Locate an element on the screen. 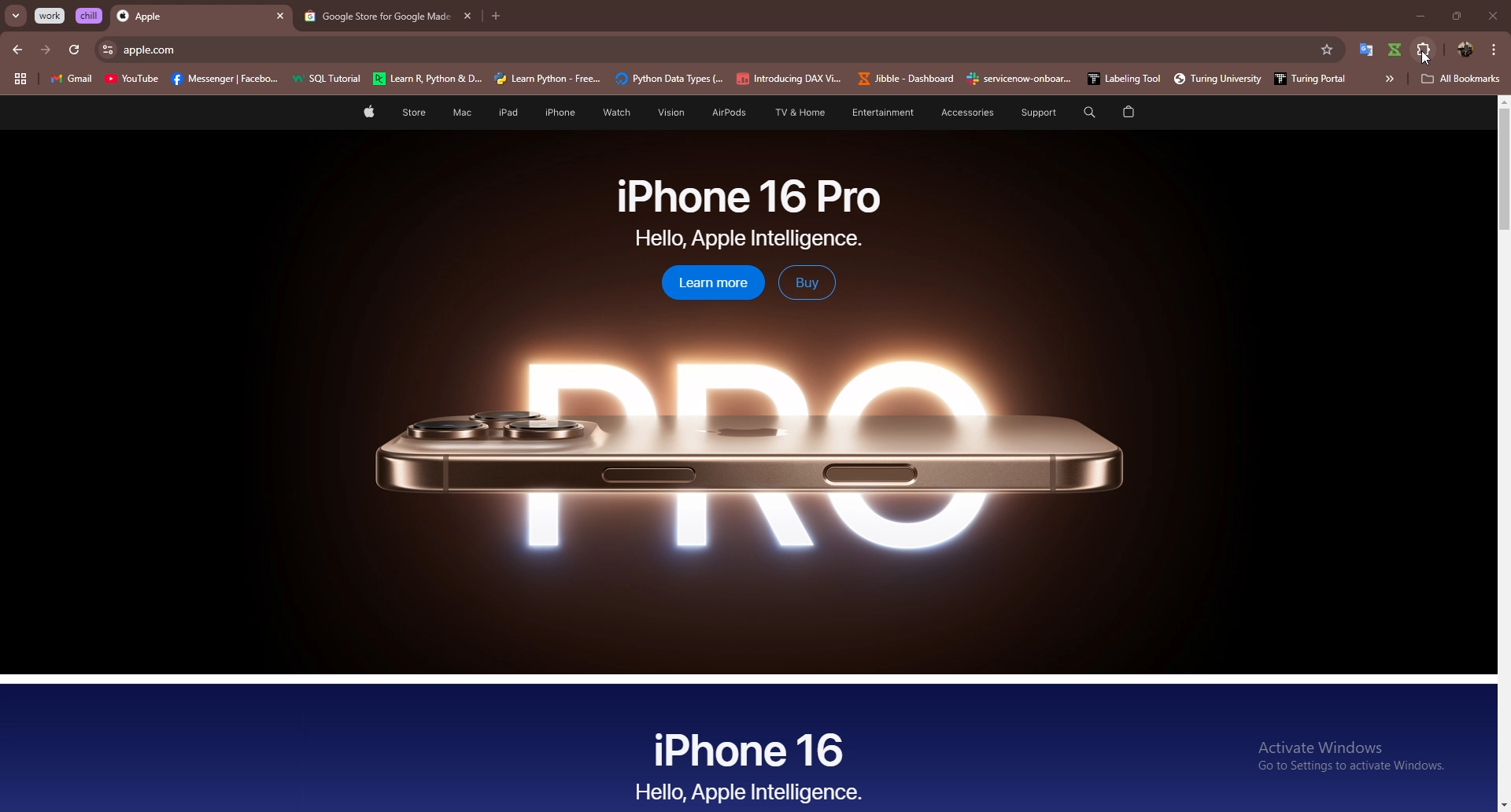  Lean more is located at coordinates (704, 284).